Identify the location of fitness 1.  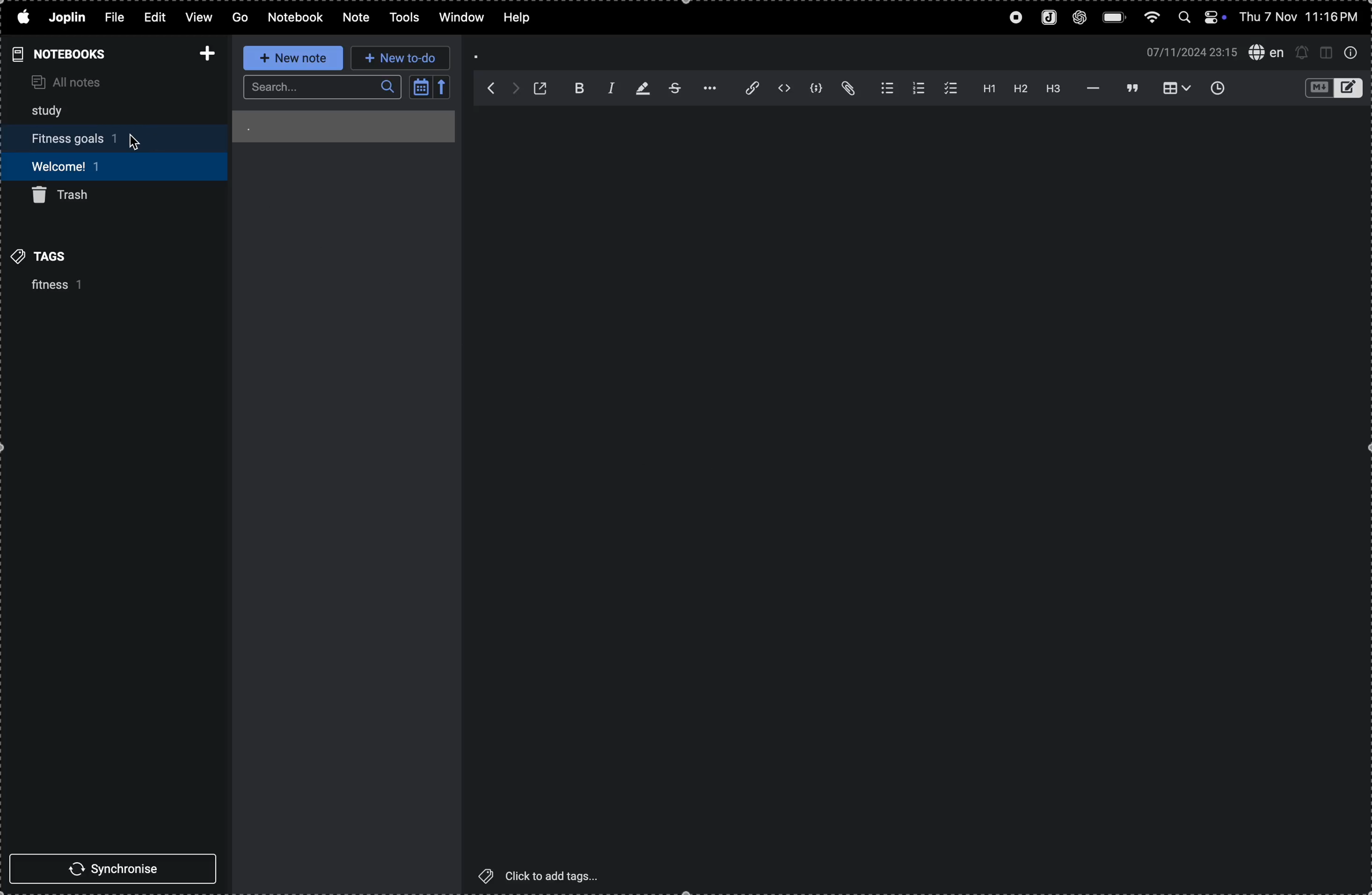
(47, 287).